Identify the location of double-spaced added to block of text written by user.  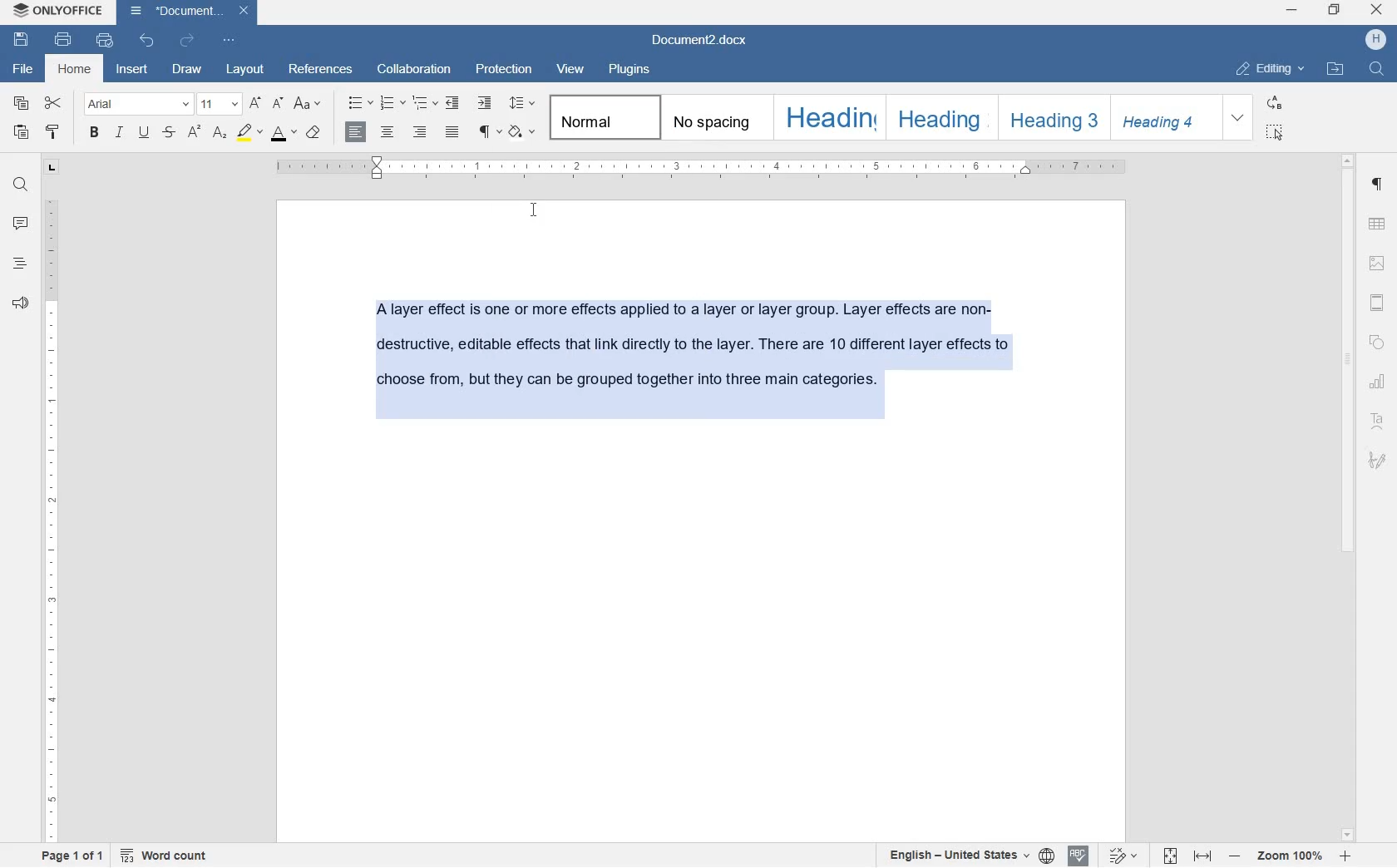
(692, 361).